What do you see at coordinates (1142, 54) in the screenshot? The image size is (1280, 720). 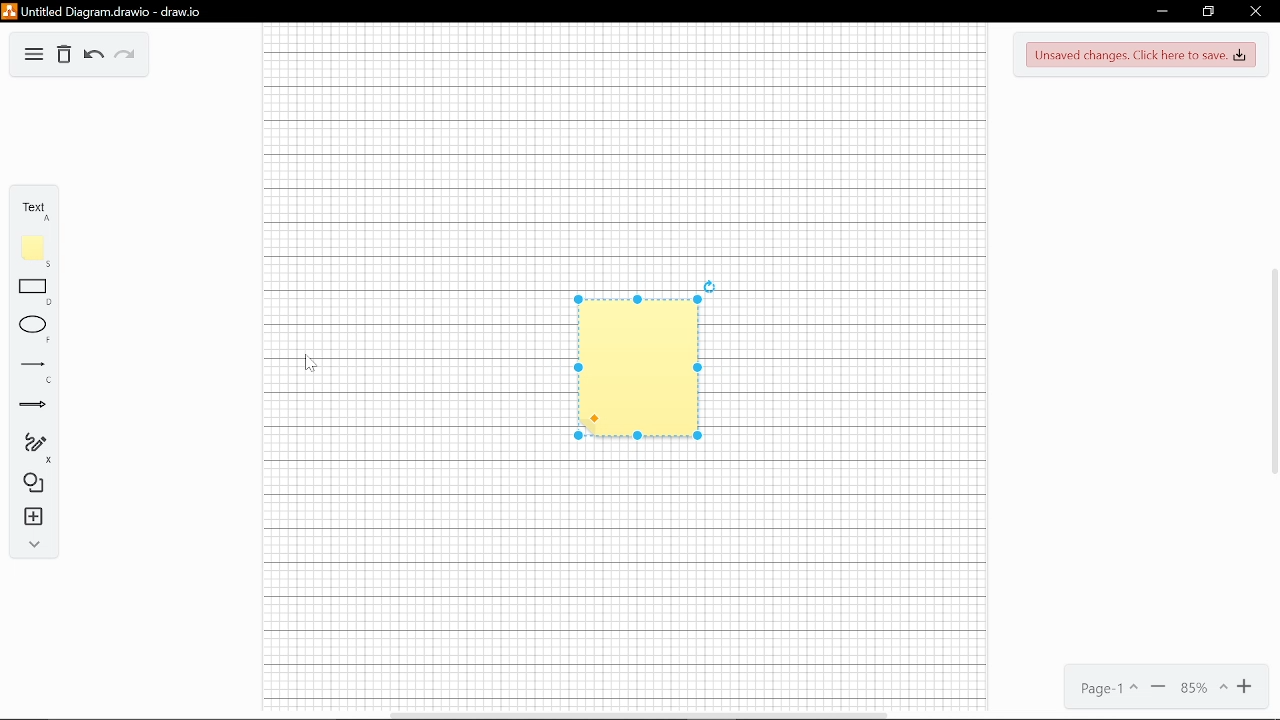 I see `Unsaved changes. Click here to save` at bounding box center [1142, 54].